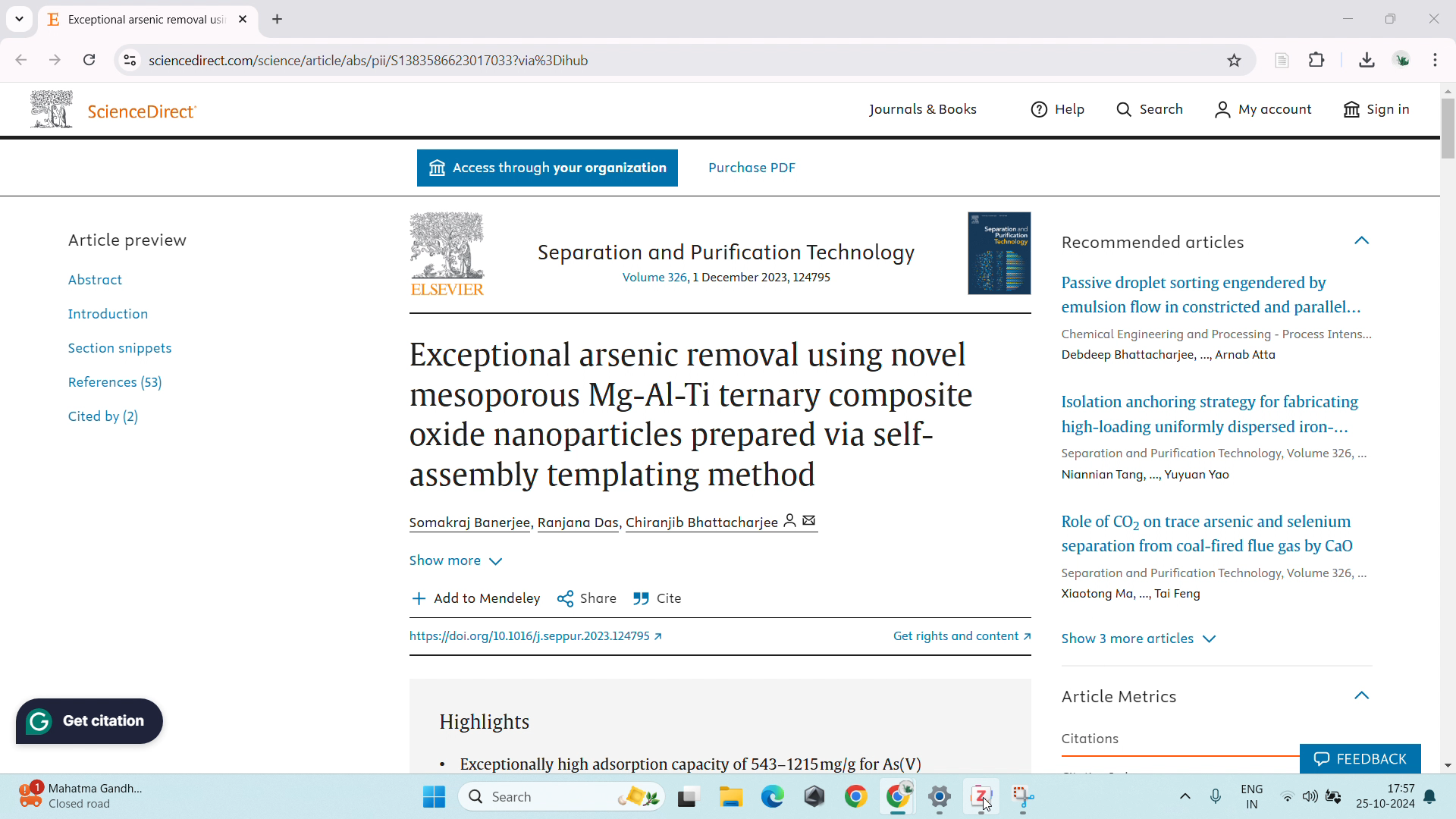  What do you see at coordinates (1364, 240) in the screenshot?
I see `Hide` at bounding box center [1364, 240].